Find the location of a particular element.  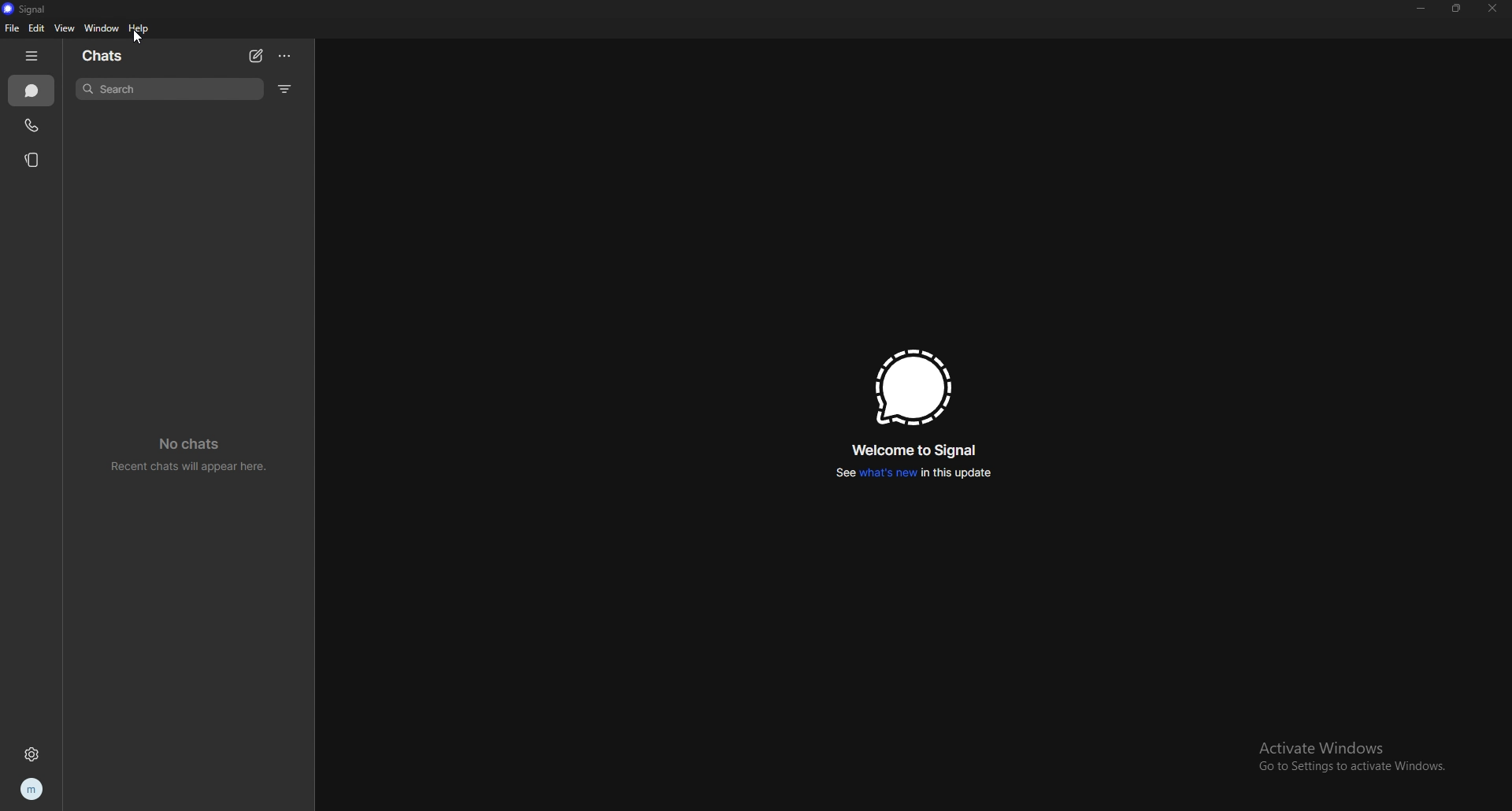

welcome to signal is located at coordinates (913, 449).